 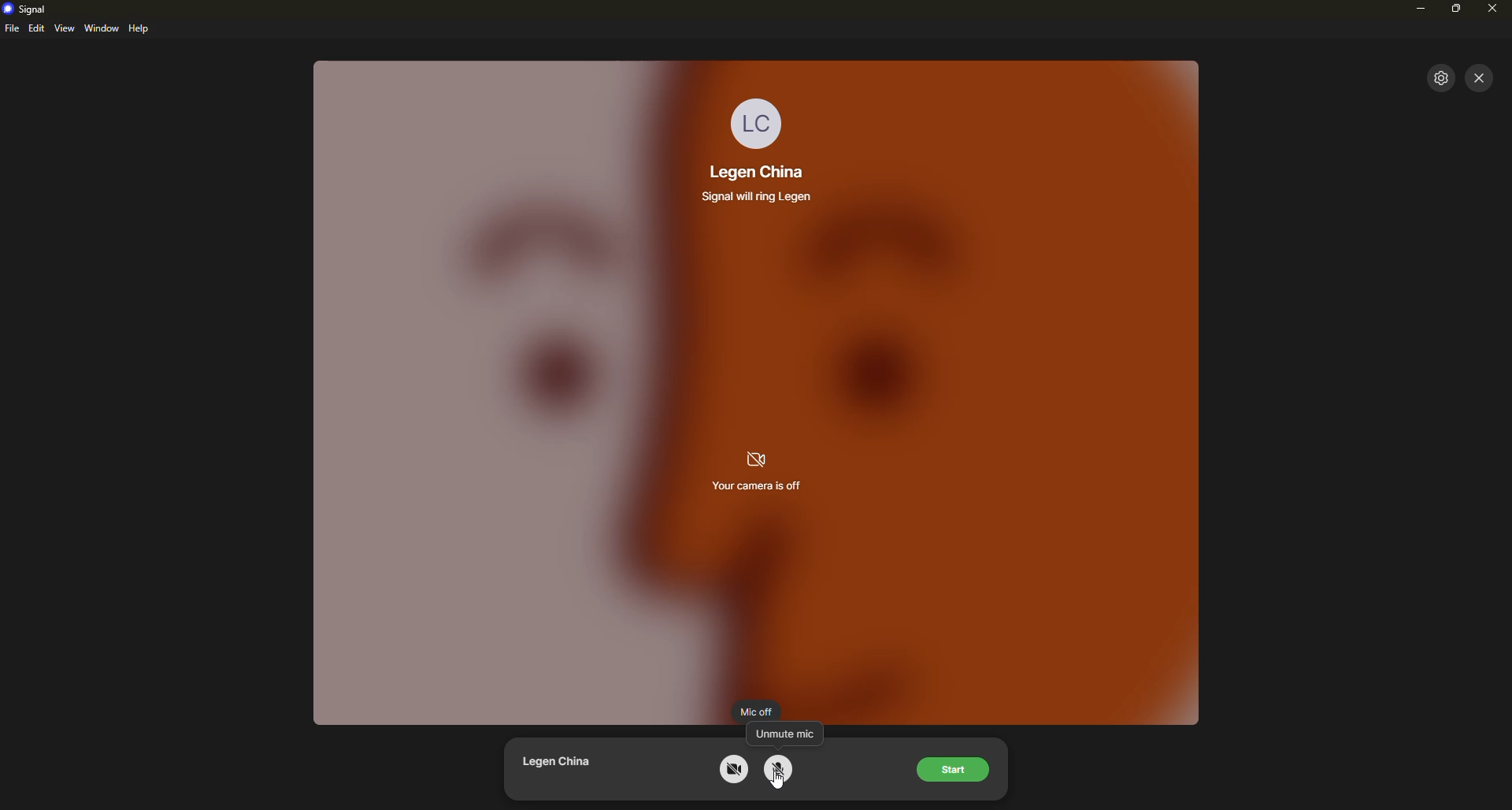 I want to click on cursor, so click(x=777, y=782).